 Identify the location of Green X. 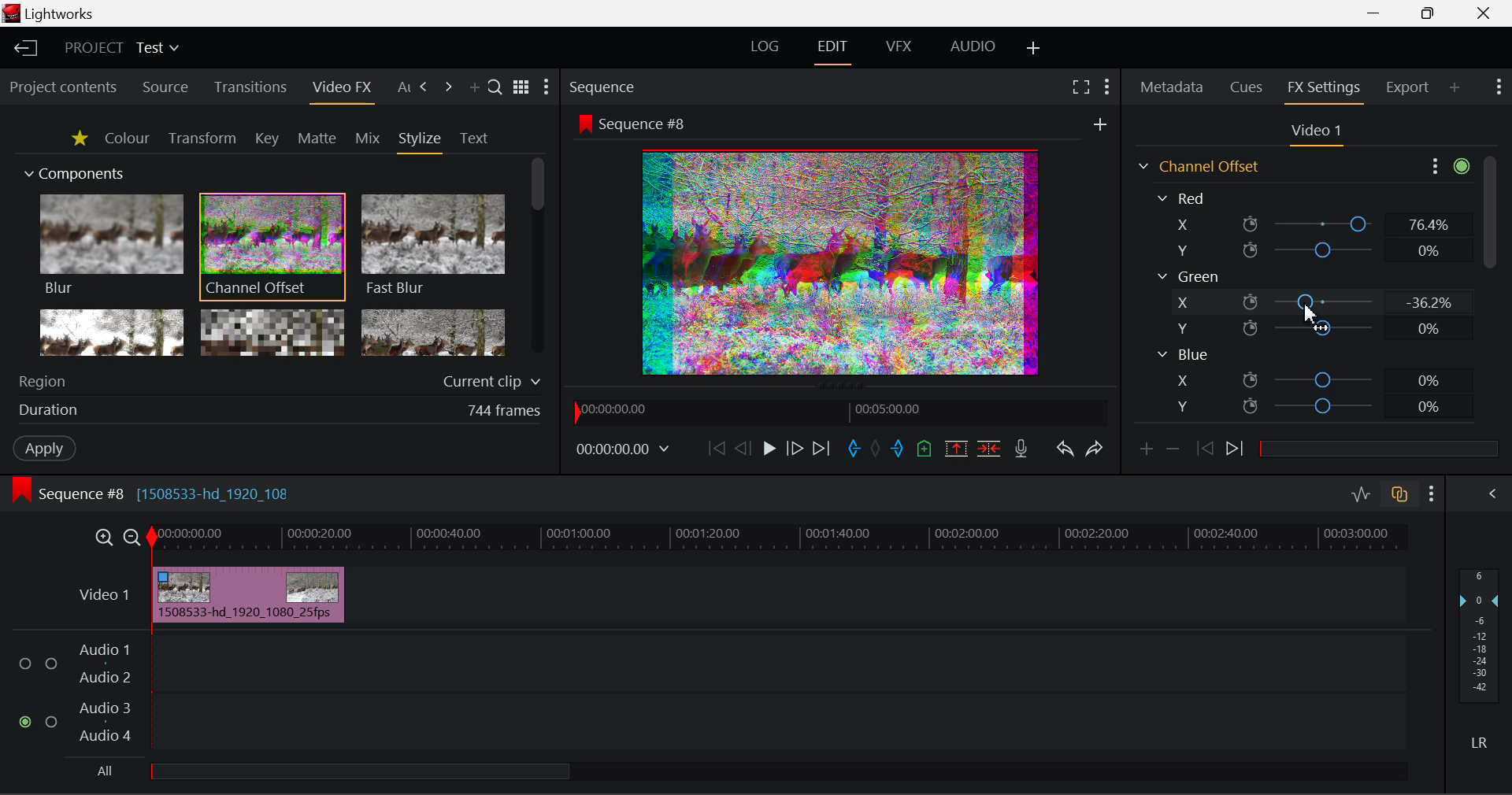
(1310, 301).